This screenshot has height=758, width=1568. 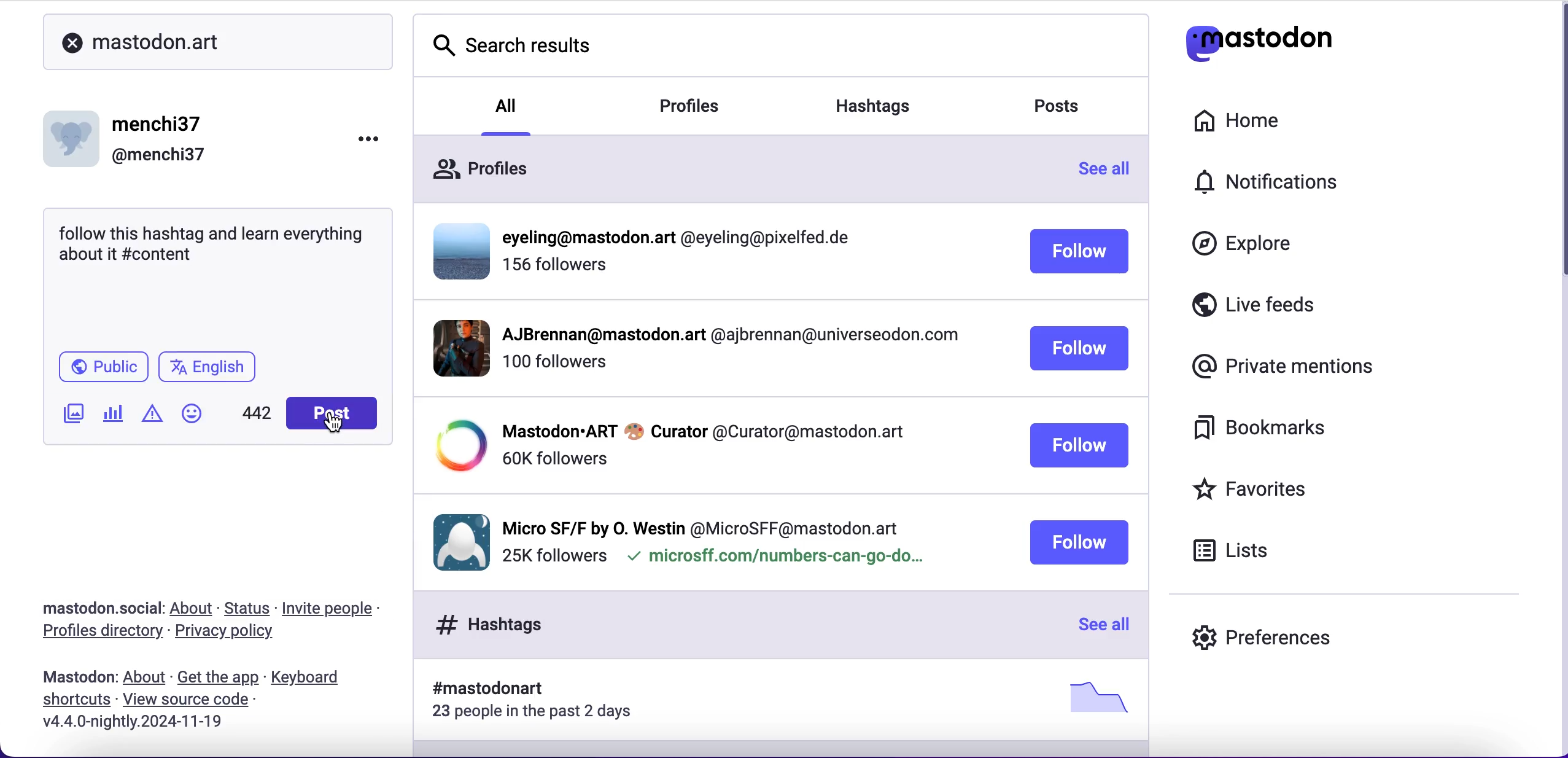 I want to click on display picture, so click(x=456, y=540).